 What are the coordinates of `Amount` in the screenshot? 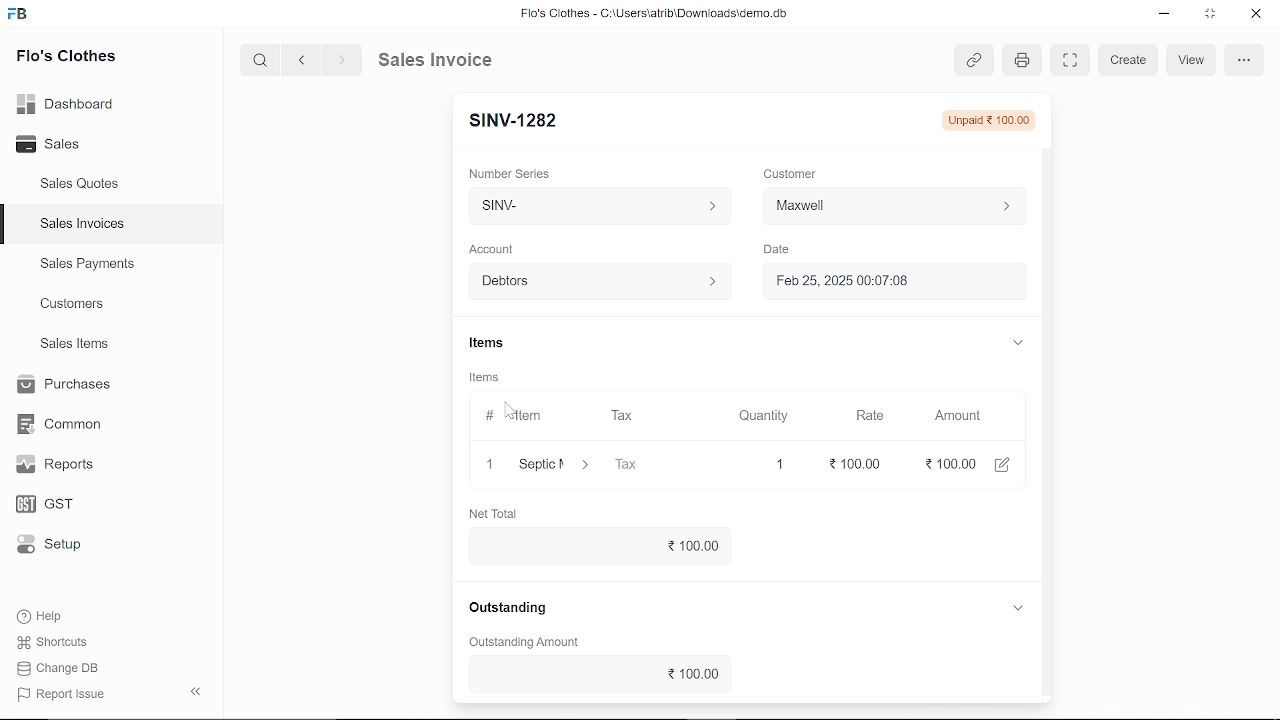 It's located at (957, 417).